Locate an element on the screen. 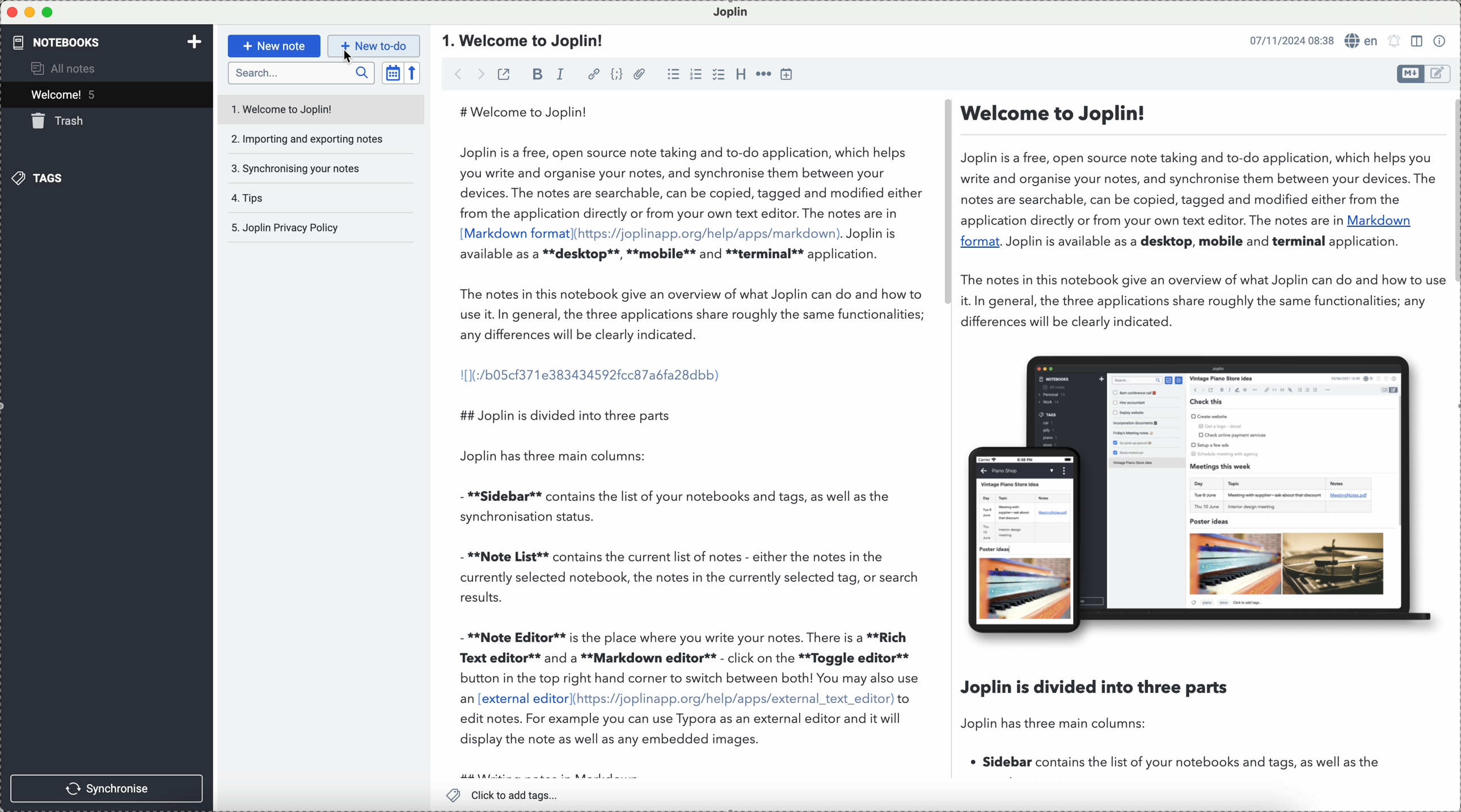  new note button is located at coordinates (275, 46).